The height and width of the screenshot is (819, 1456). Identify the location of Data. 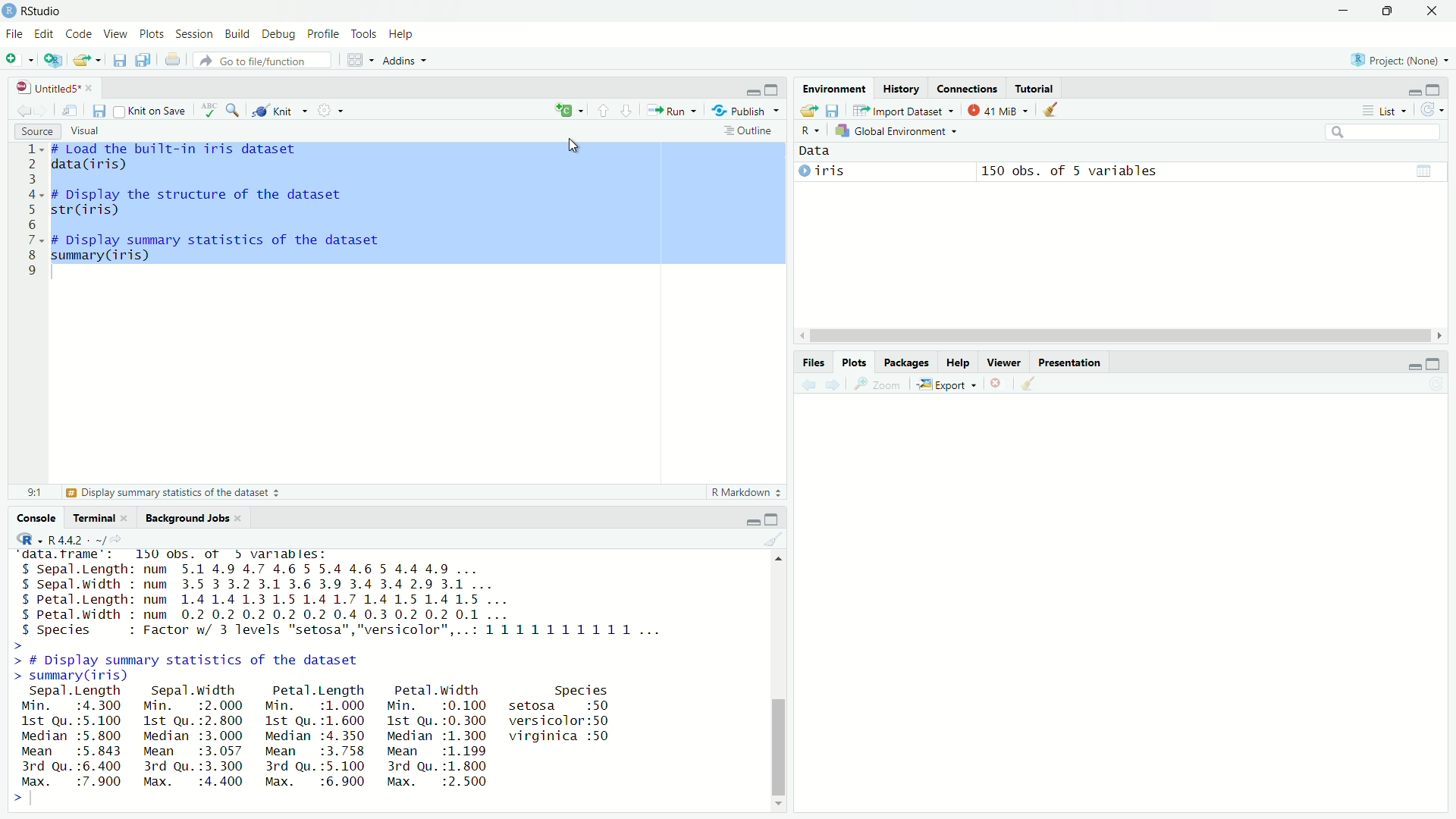
(816, 151).